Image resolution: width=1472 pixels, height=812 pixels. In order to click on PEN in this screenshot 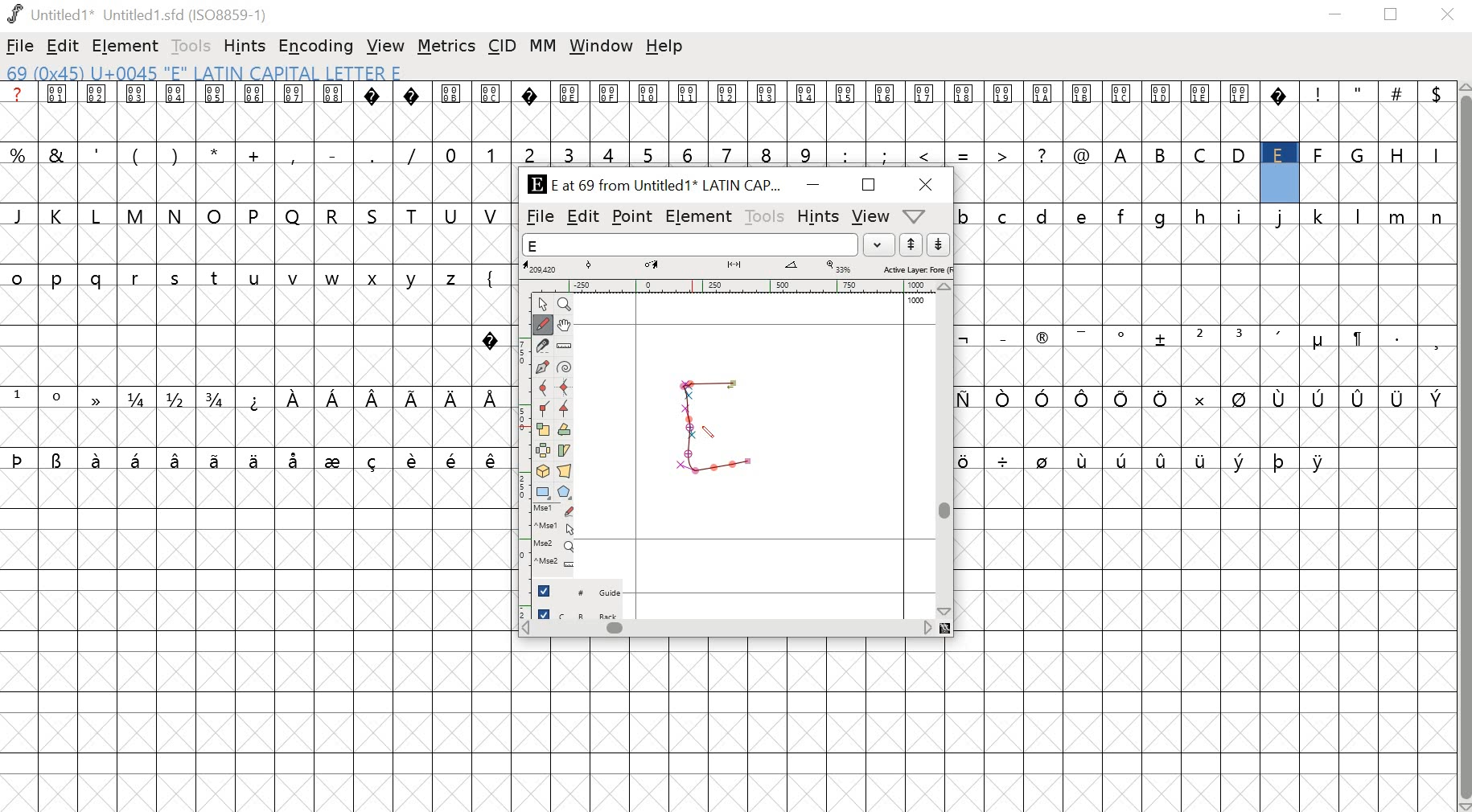, I will do `click(710, 426)`.